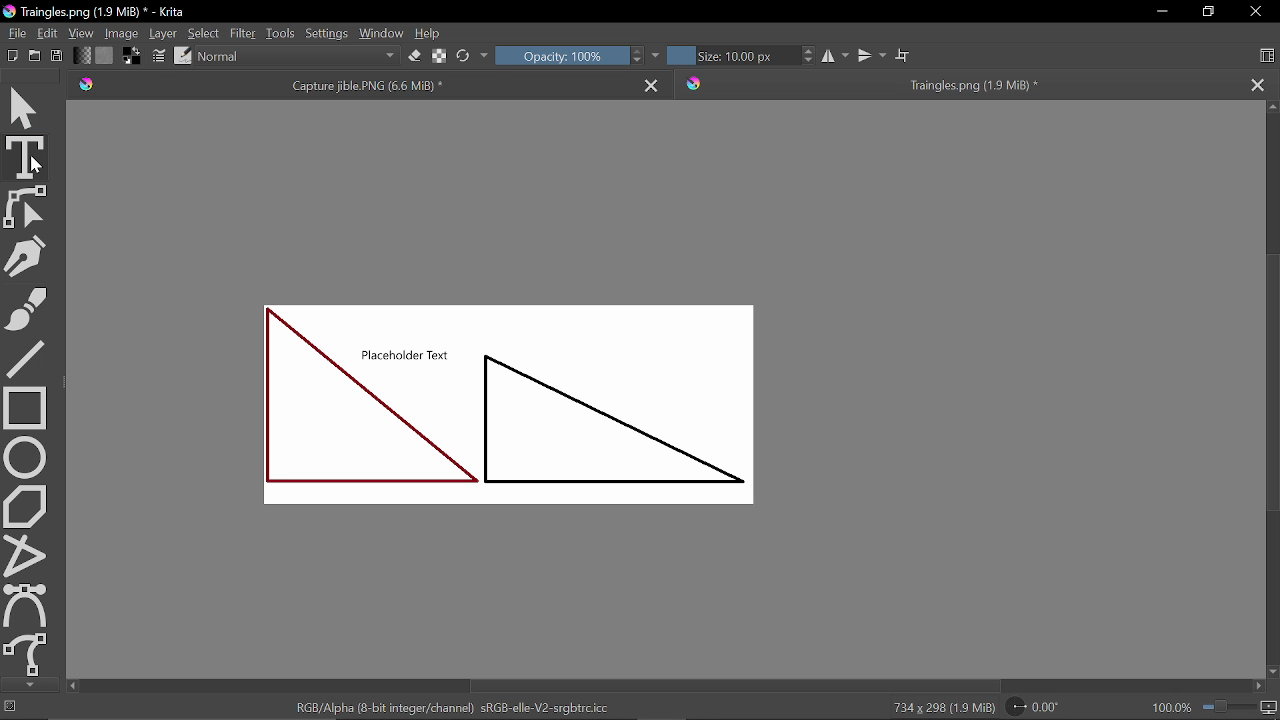 Image resolution: width=1280 pixels, height=720 pixels. Describe the element at coordinates (28, 110) in the screenshot. I see `Move tool` at that location.